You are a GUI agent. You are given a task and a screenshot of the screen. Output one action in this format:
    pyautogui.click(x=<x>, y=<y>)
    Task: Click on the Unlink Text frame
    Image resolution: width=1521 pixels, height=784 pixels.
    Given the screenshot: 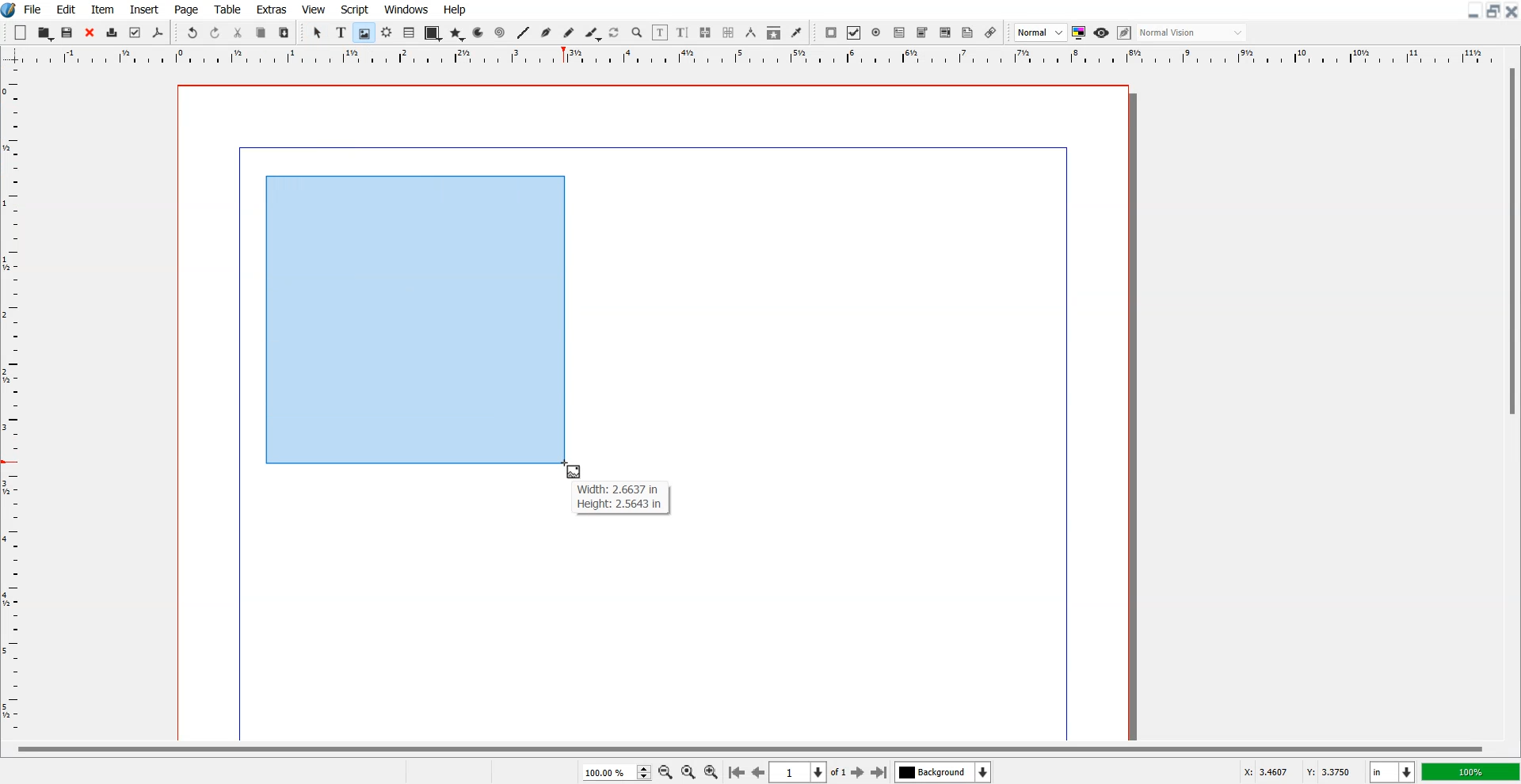 What is the action you would take?
    pyautogui.click(x=729, y=32)
    